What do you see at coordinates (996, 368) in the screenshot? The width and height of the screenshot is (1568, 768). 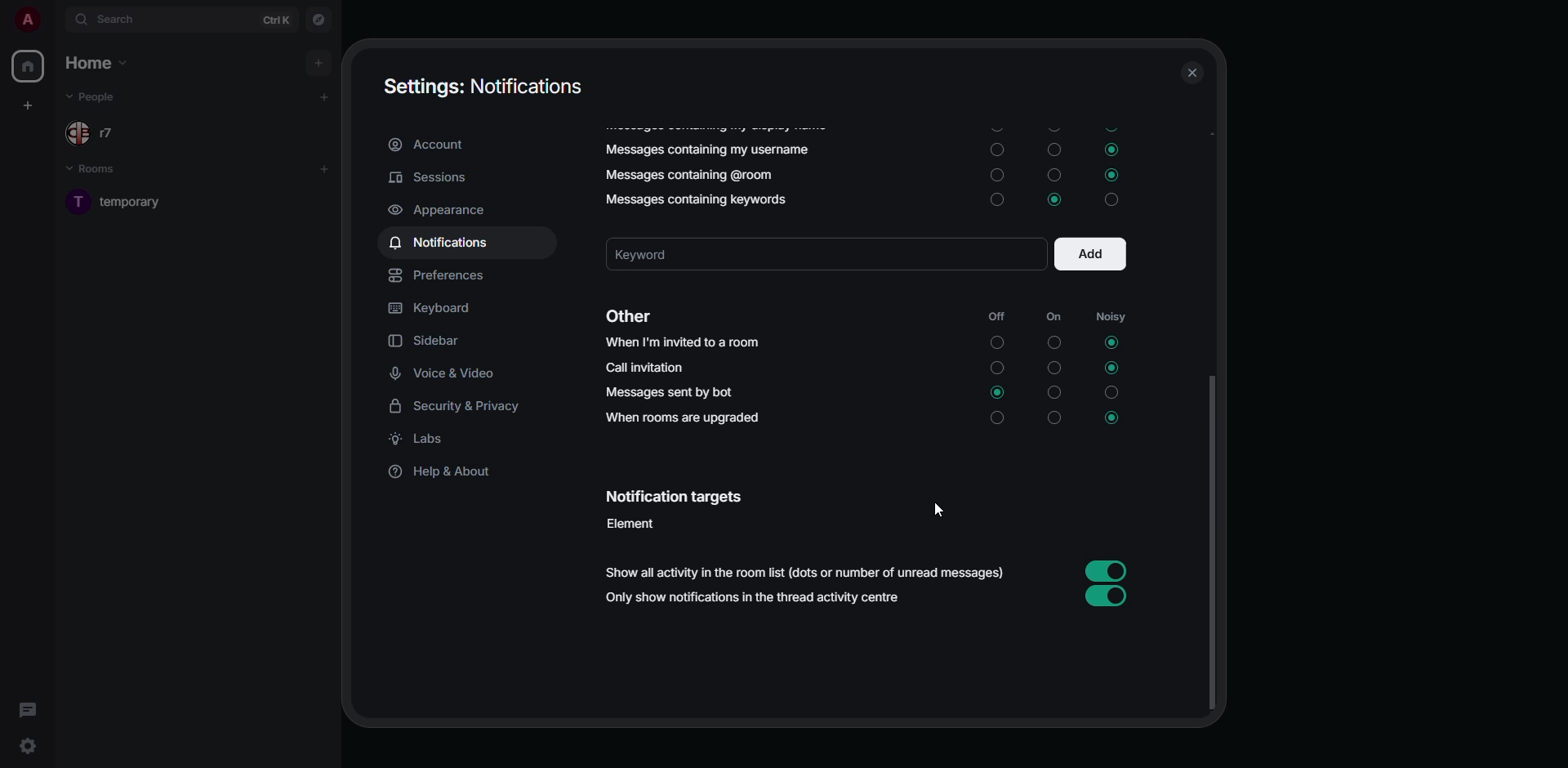 I see `Off` at bounding box center [996, 368].